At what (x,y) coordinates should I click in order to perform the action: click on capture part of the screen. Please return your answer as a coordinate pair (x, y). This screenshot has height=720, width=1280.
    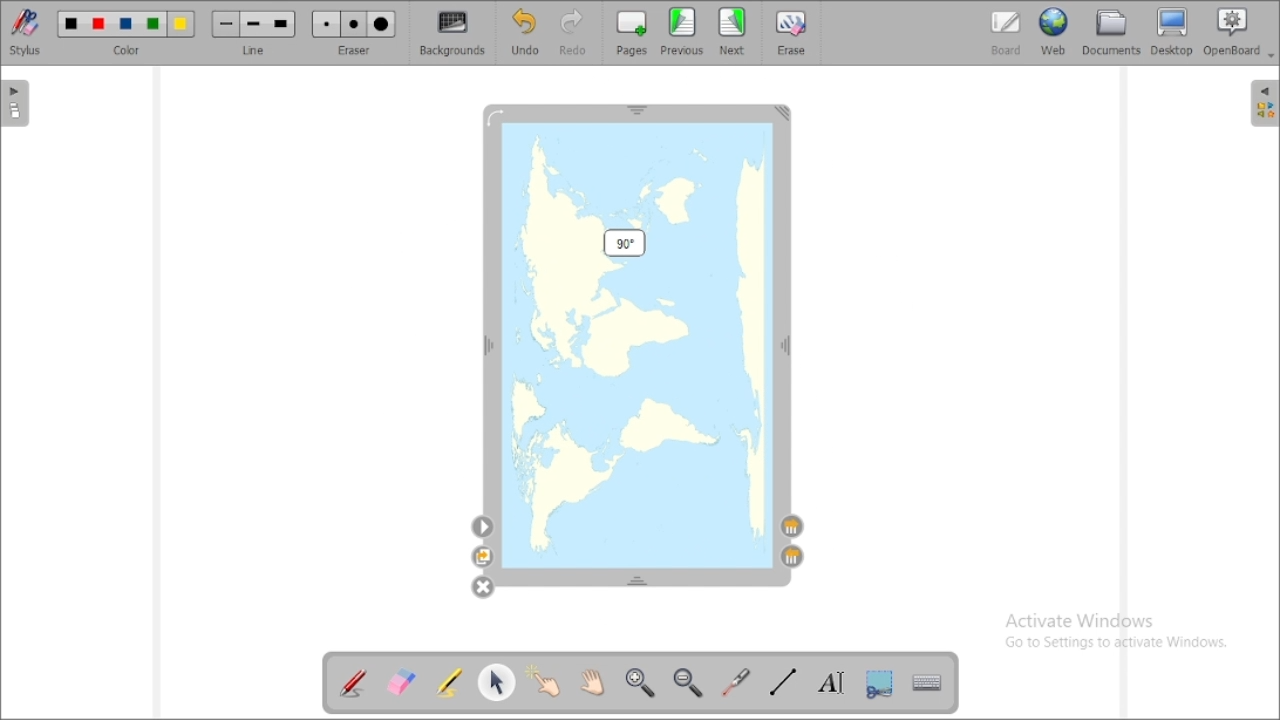
    Looking at the image, I should click on (880, 684).